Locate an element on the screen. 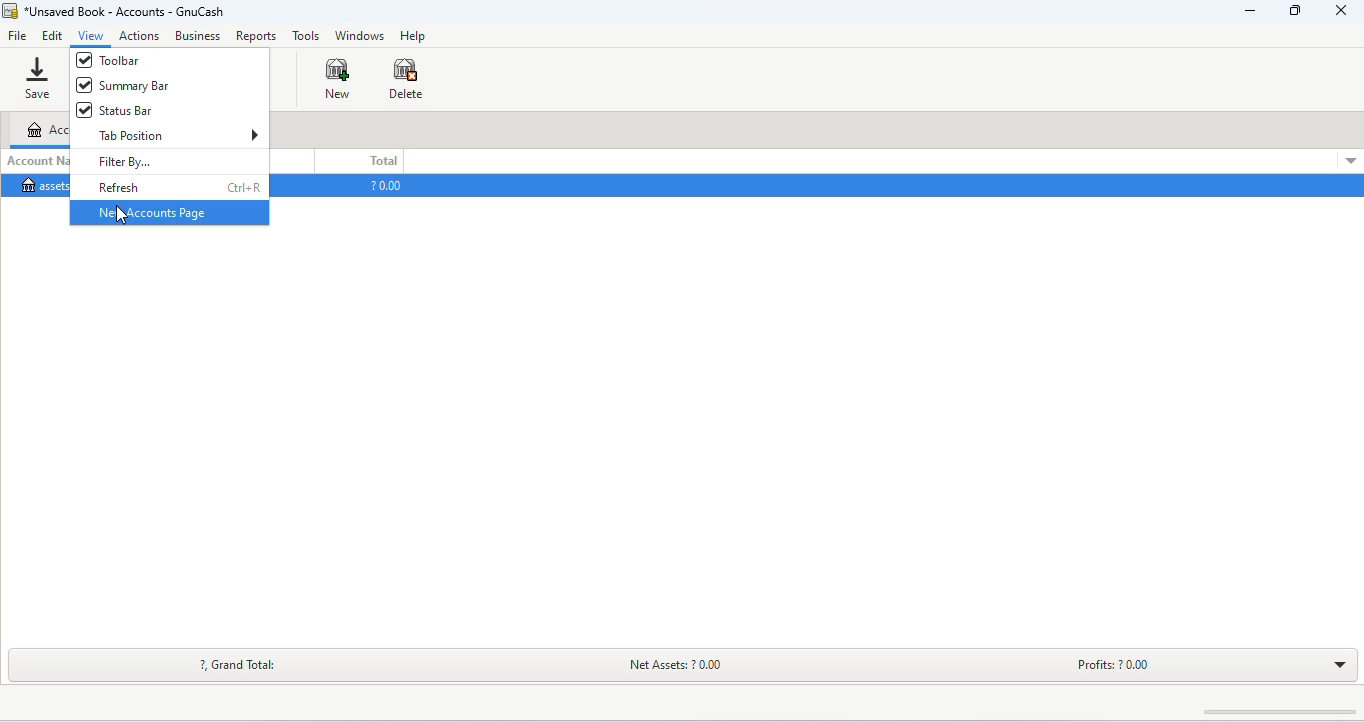 Image resolution: width=1364 pixels, height=722 pixels. reports is located at coordinates (257, 37).